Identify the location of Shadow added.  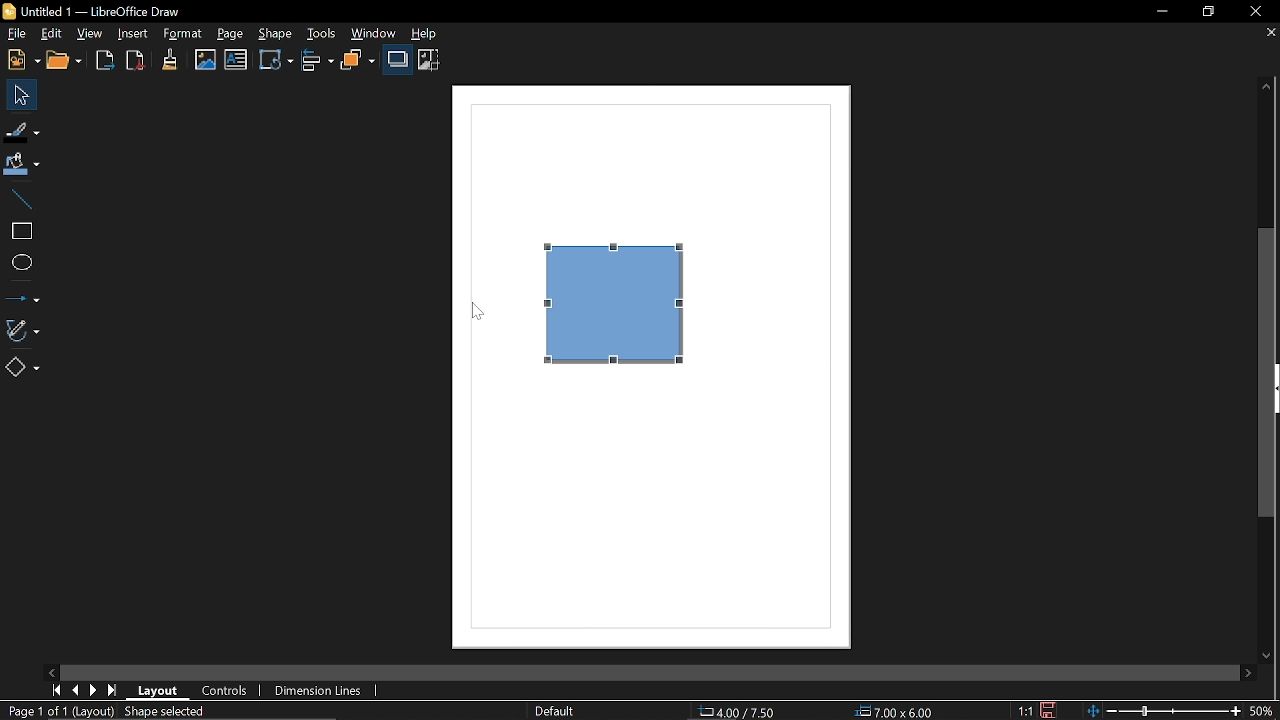
(630, 308).